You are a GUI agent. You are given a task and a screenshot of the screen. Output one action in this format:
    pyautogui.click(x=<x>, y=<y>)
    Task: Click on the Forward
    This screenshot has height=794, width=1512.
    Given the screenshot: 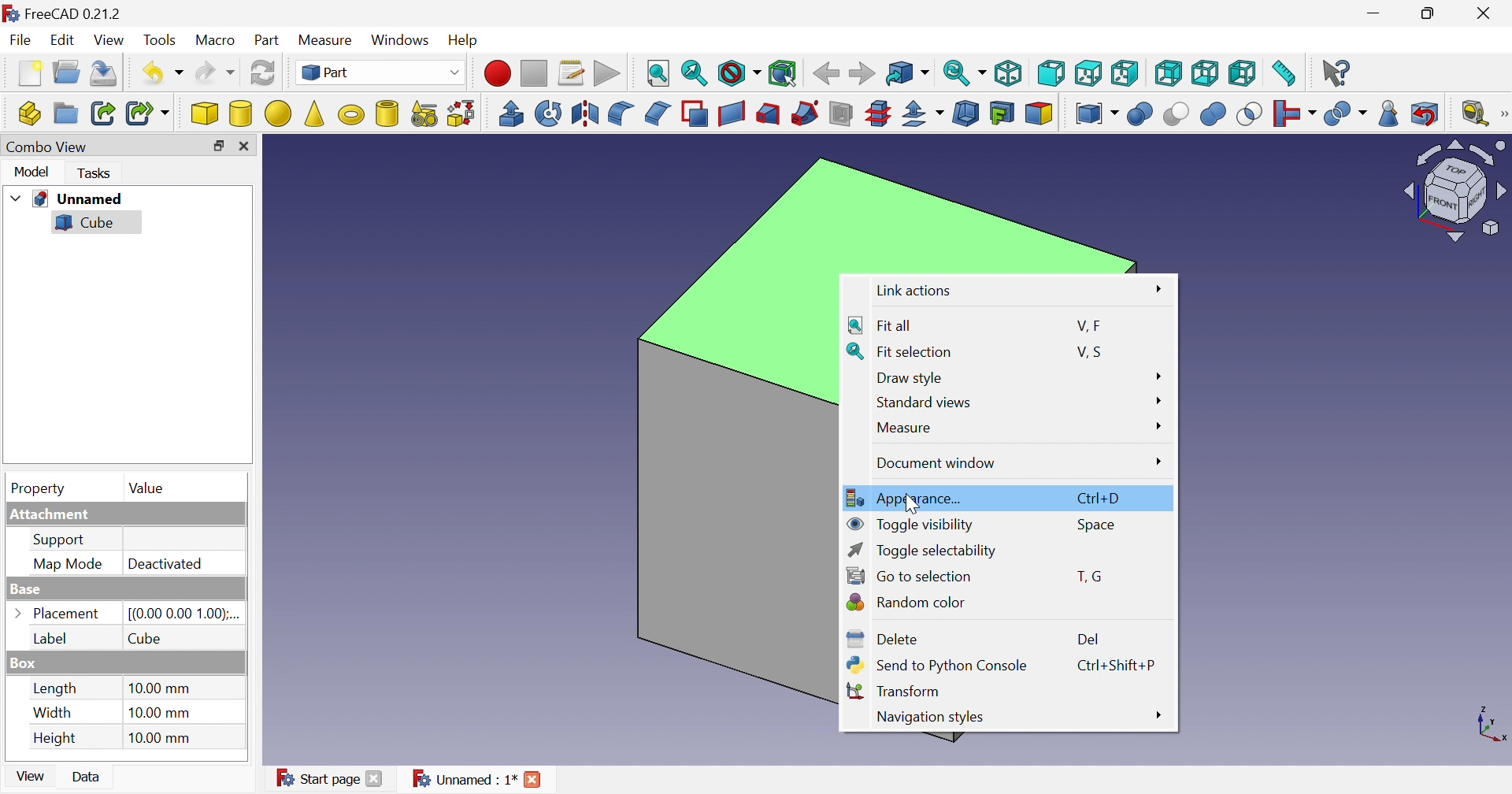 What is the action you would take?
    pyautogui.click(x=863, y=72)
    